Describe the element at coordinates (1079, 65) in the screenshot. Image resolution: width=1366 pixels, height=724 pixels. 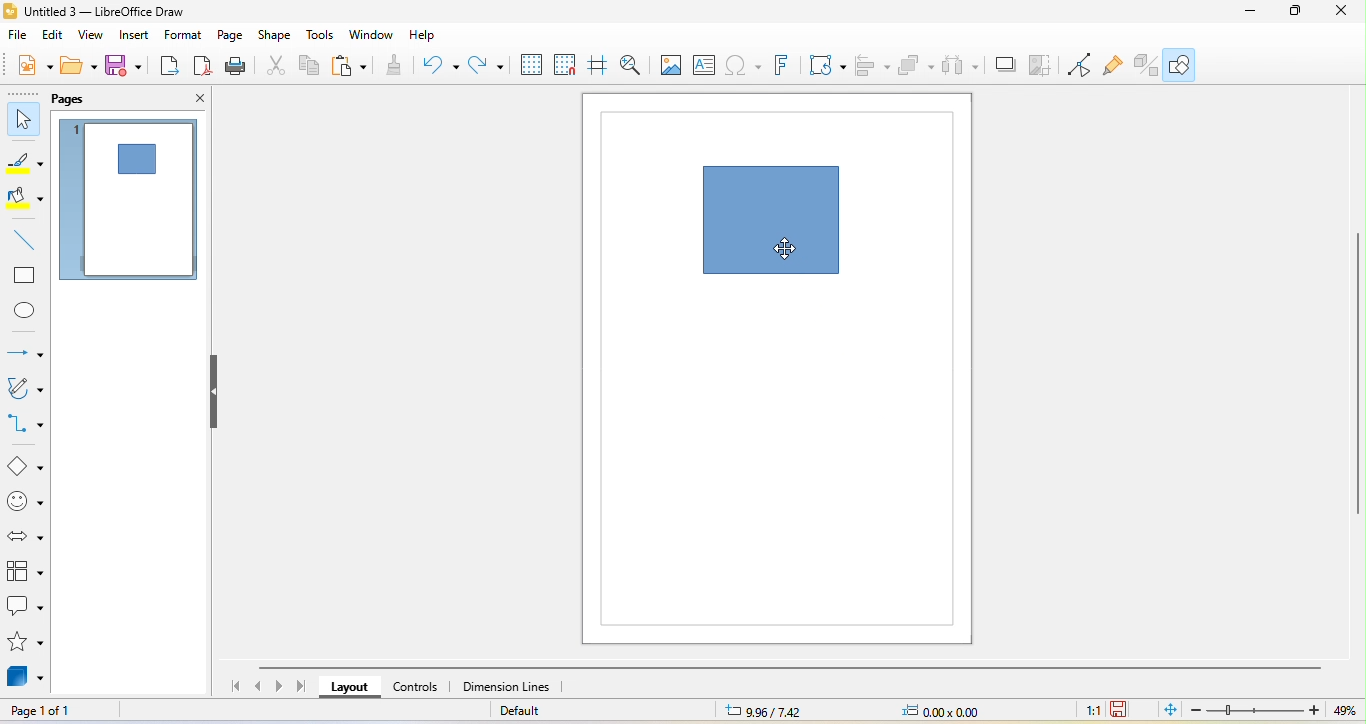
I see `point edit mode` at that location.